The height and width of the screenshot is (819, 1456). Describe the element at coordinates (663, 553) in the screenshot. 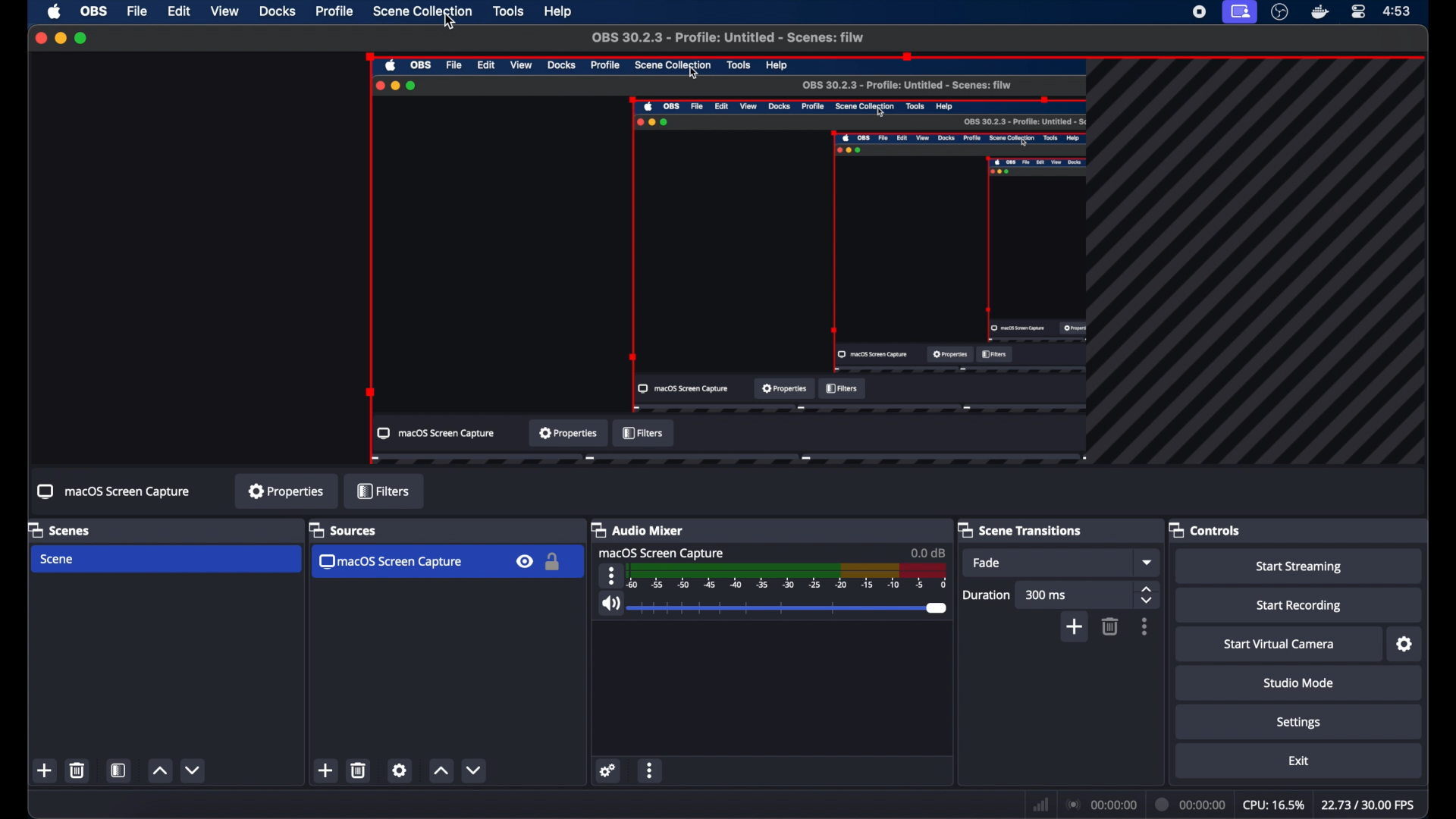

I see `macOS screen capture` at that location.